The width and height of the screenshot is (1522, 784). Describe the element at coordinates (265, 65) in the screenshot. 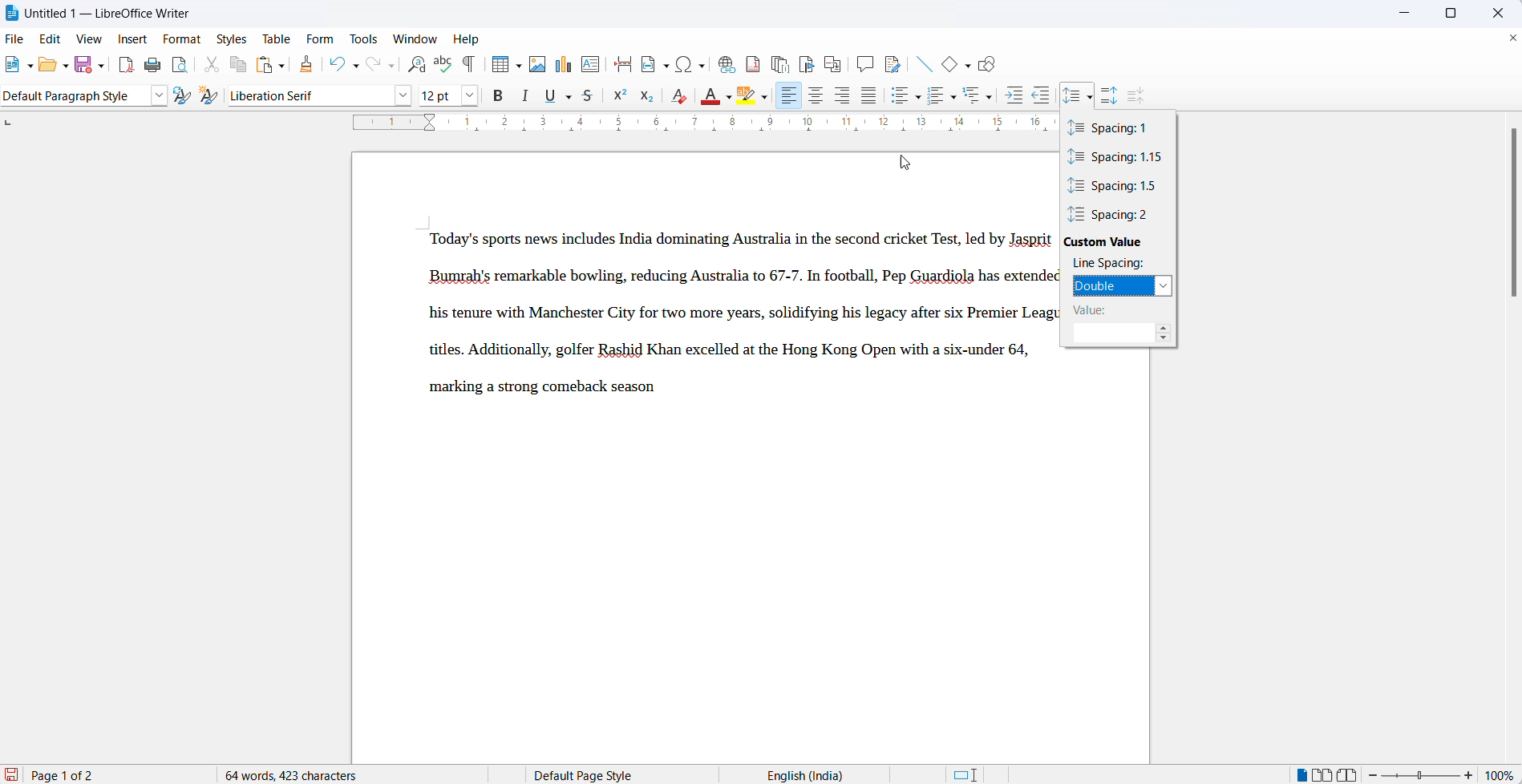

I see `paste` at that location.